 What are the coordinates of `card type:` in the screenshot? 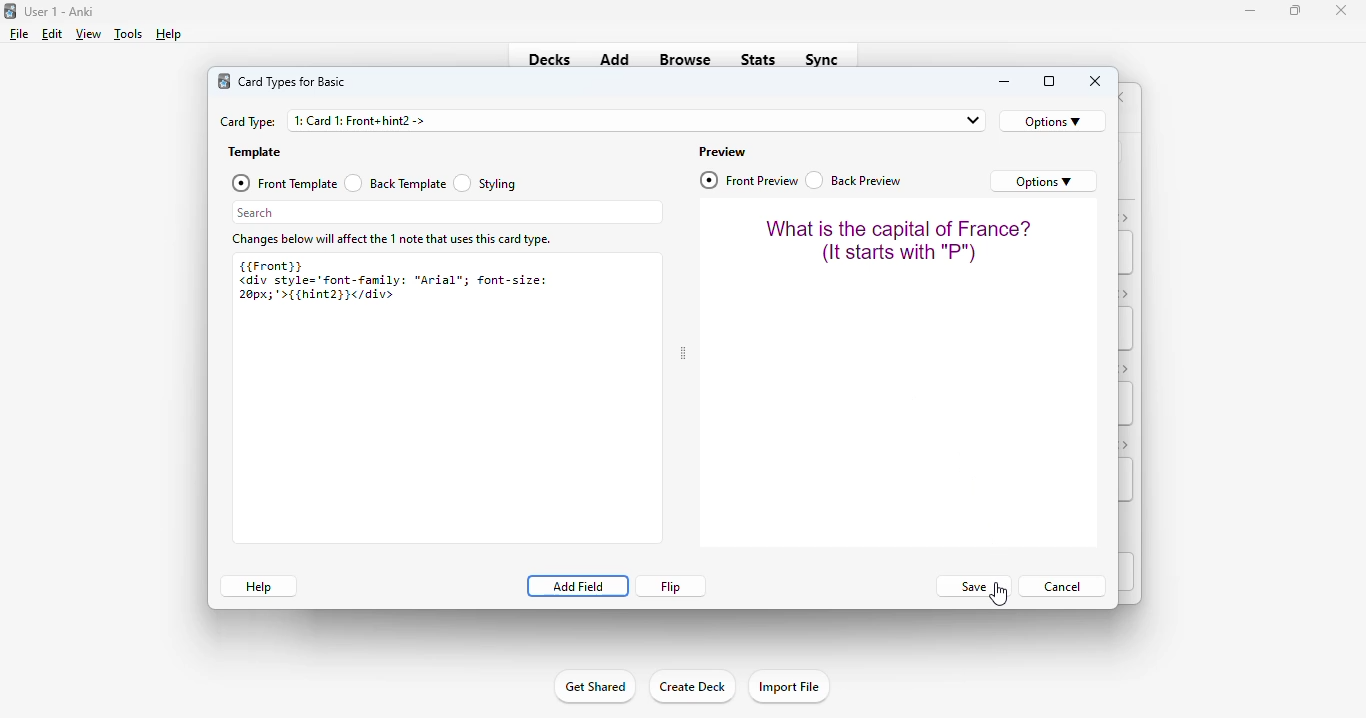 It's located at (248, 122).